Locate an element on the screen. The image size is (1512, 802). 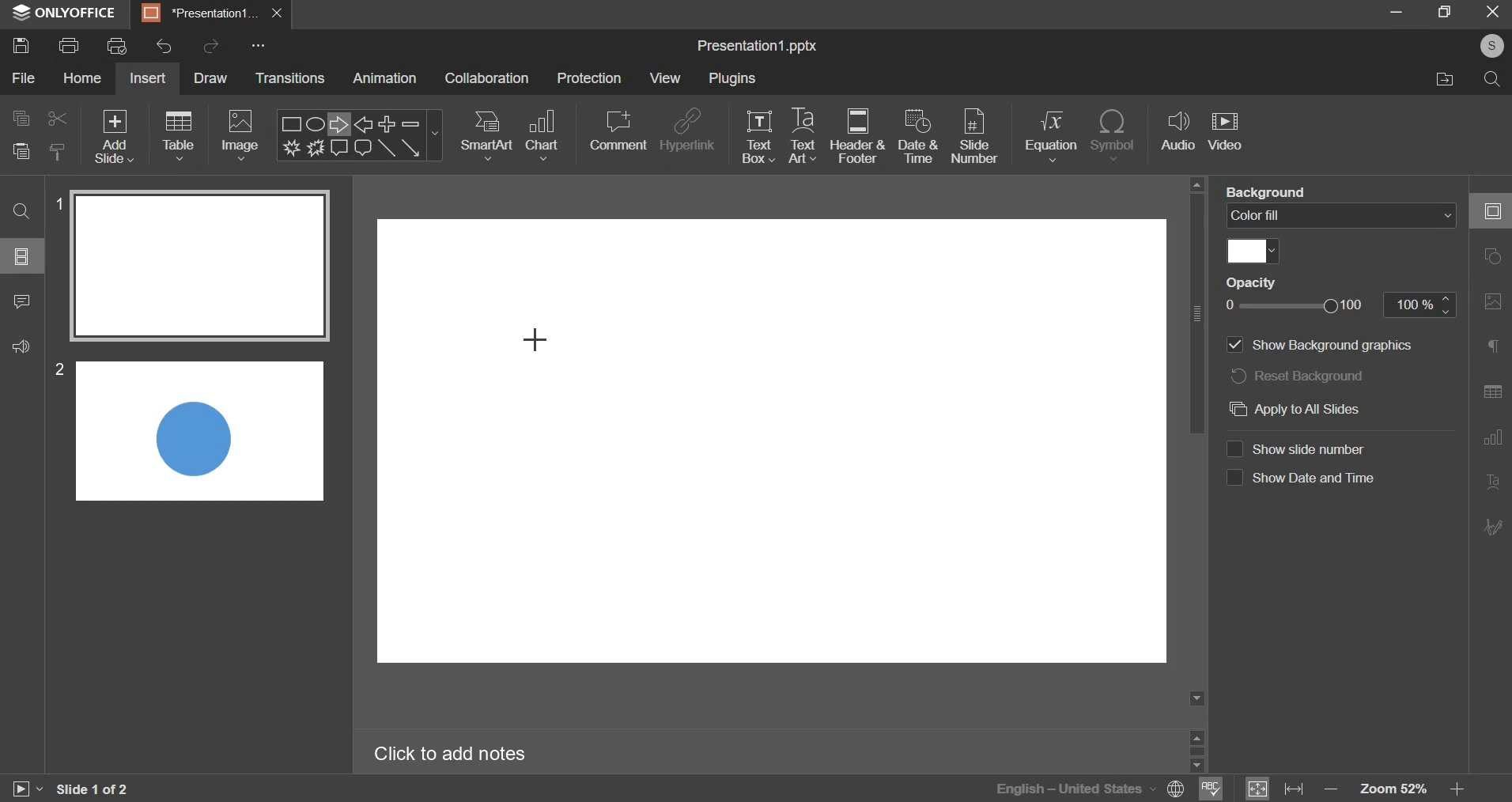
Rectangle is located at coordinates (291, 123).